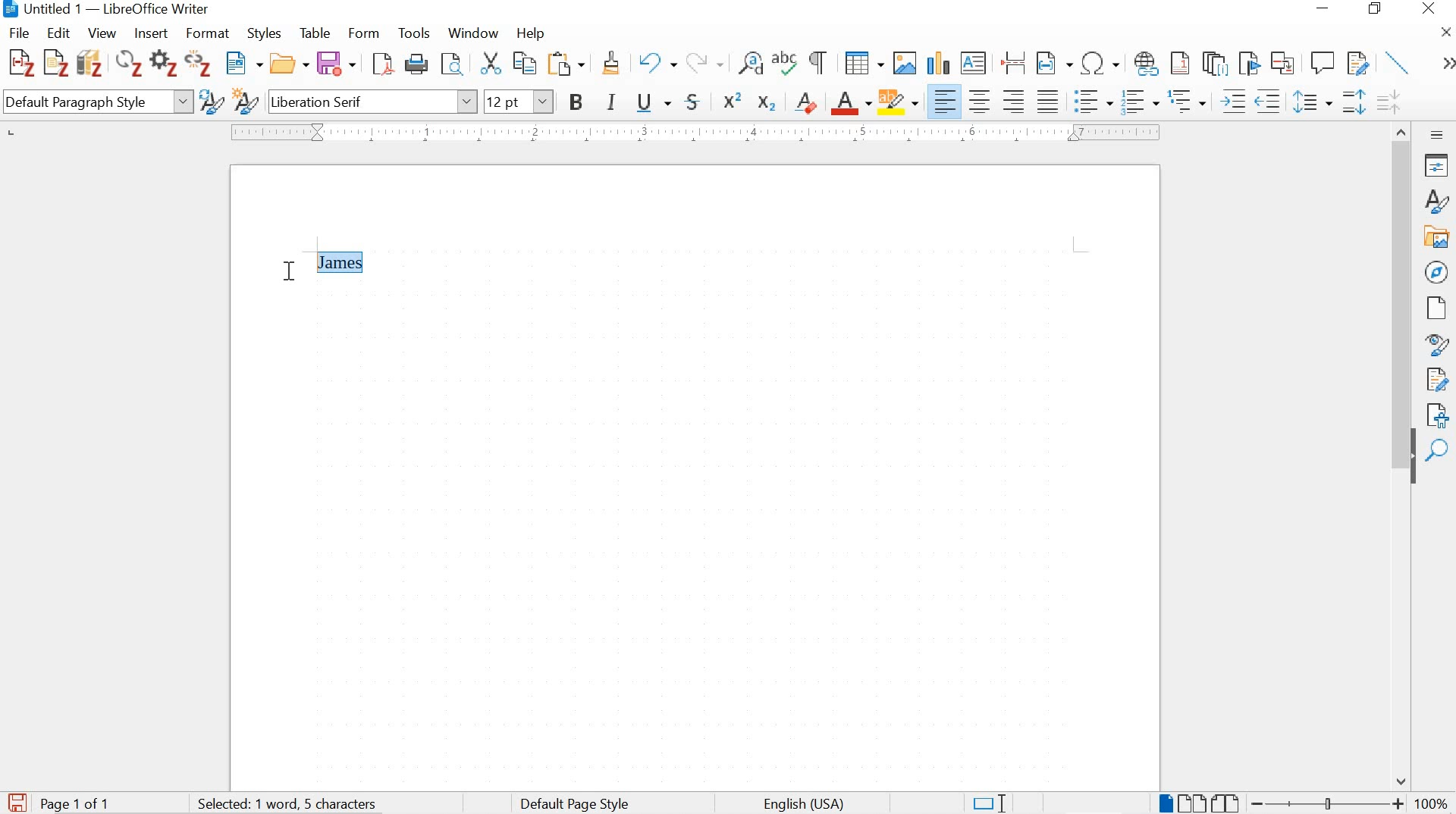 This screenshot has width=1456, height=814. What do you see at coordinates (899, 101) in the screenshot?
I see `character highlighting color` at bounding box center [899, 101].